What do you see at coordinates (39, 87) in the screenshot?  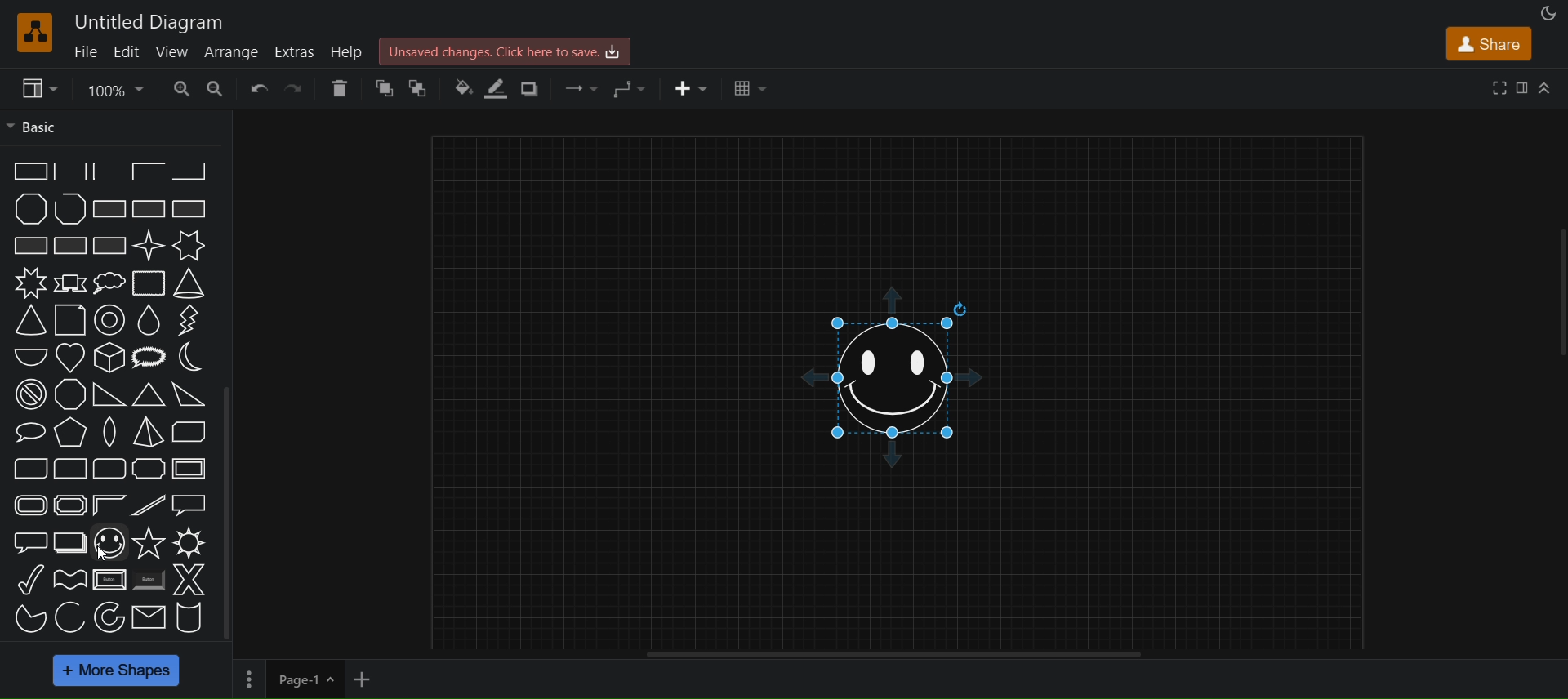 I see `view` at bounding box center [39, 87].